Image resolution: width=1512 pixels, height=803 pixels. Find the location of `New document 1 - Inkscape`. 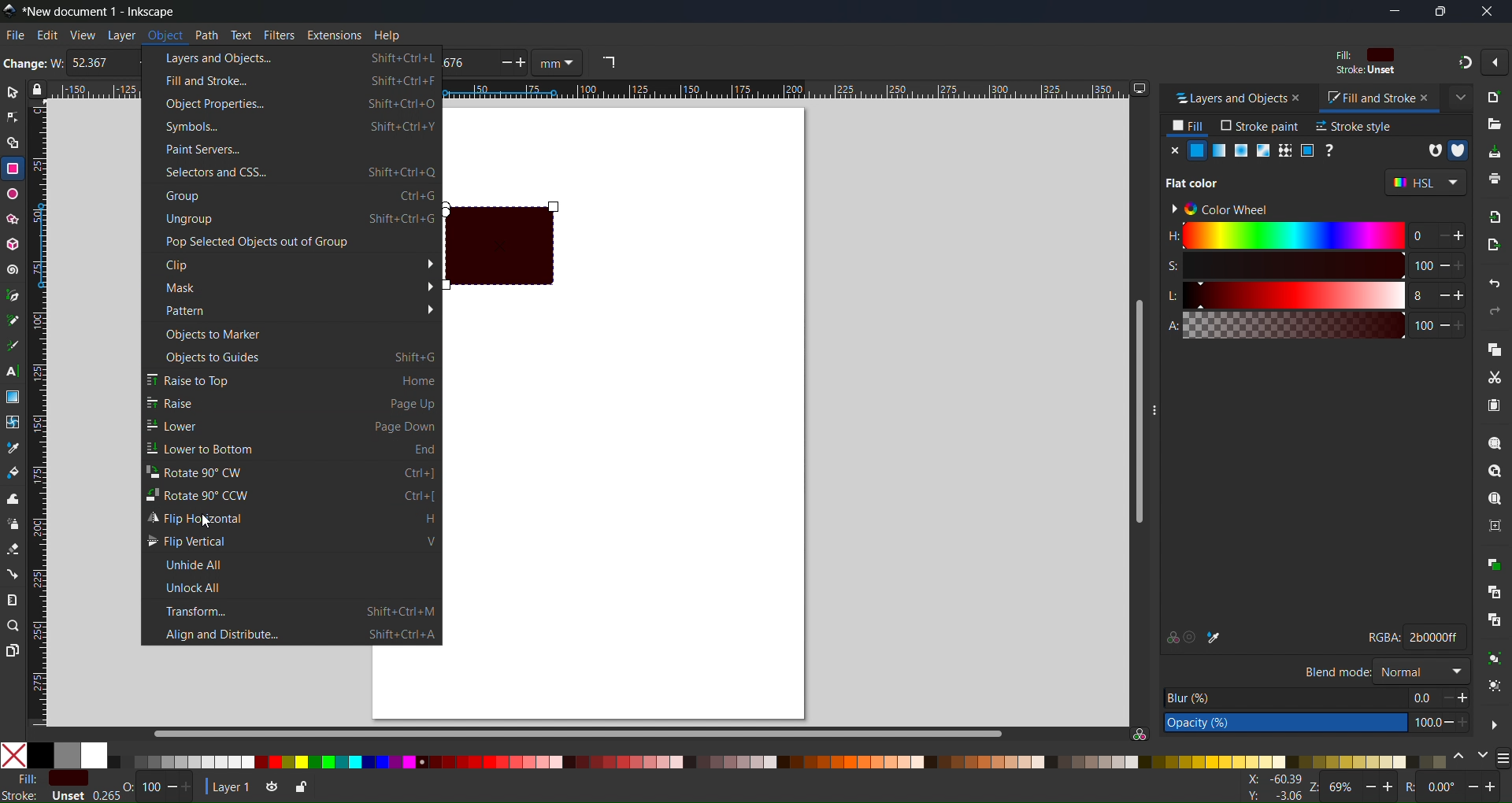

New document 1 - Inkscape is located at coordinates (106, 10).